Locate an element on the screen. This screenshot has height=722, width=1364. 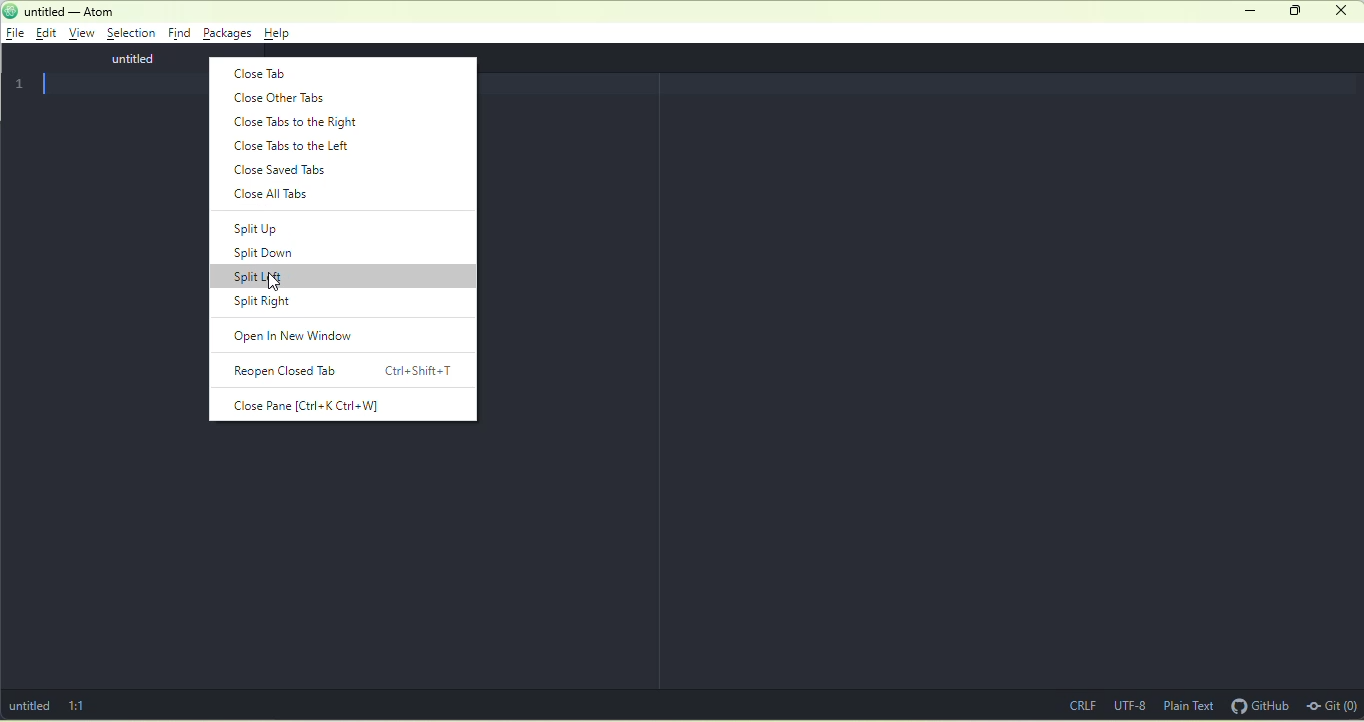
maximize is located at coordinates (1293, 11).